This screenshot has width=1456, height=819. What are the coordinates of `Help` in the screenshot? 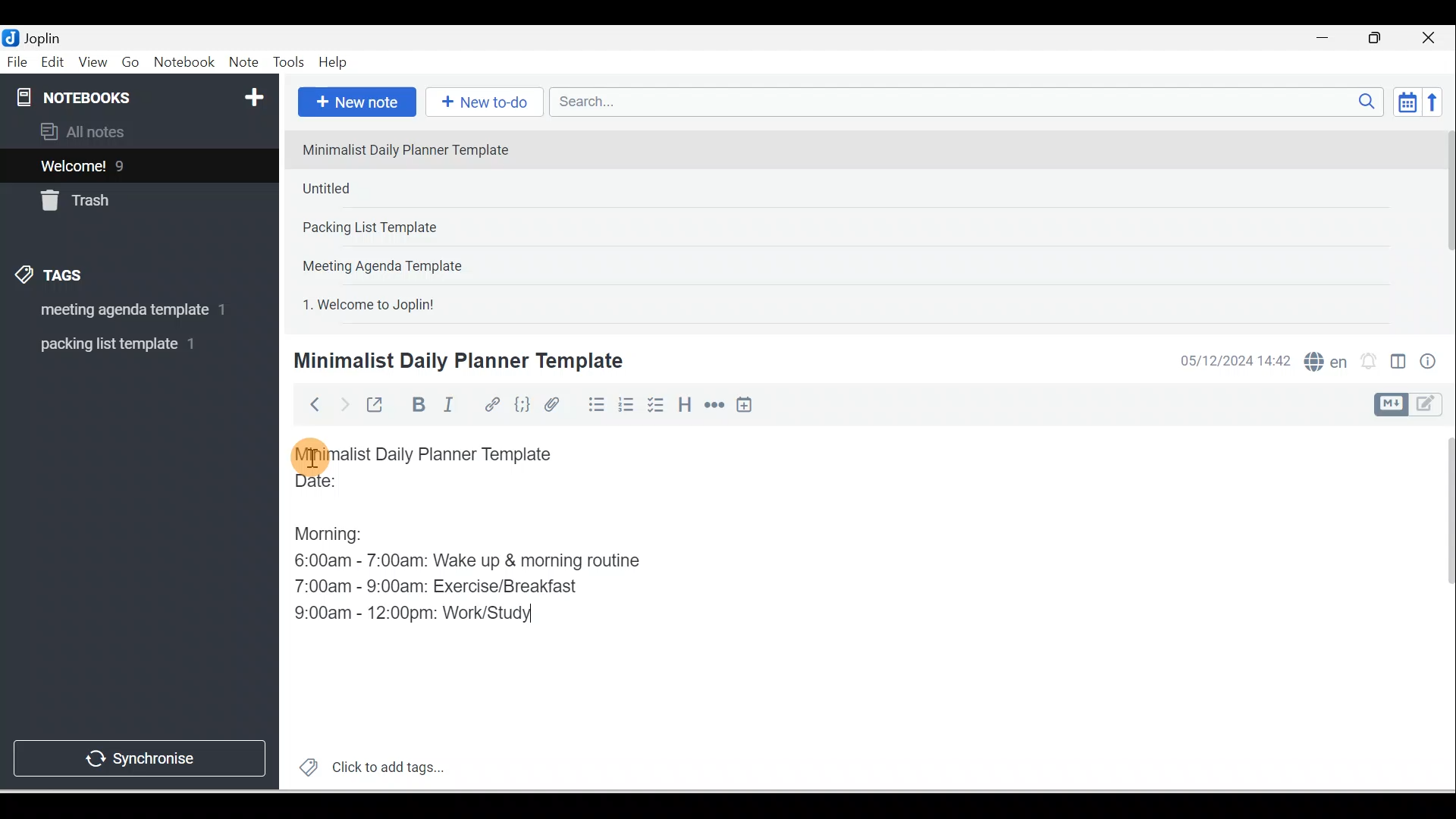 It's located at (334, 63).